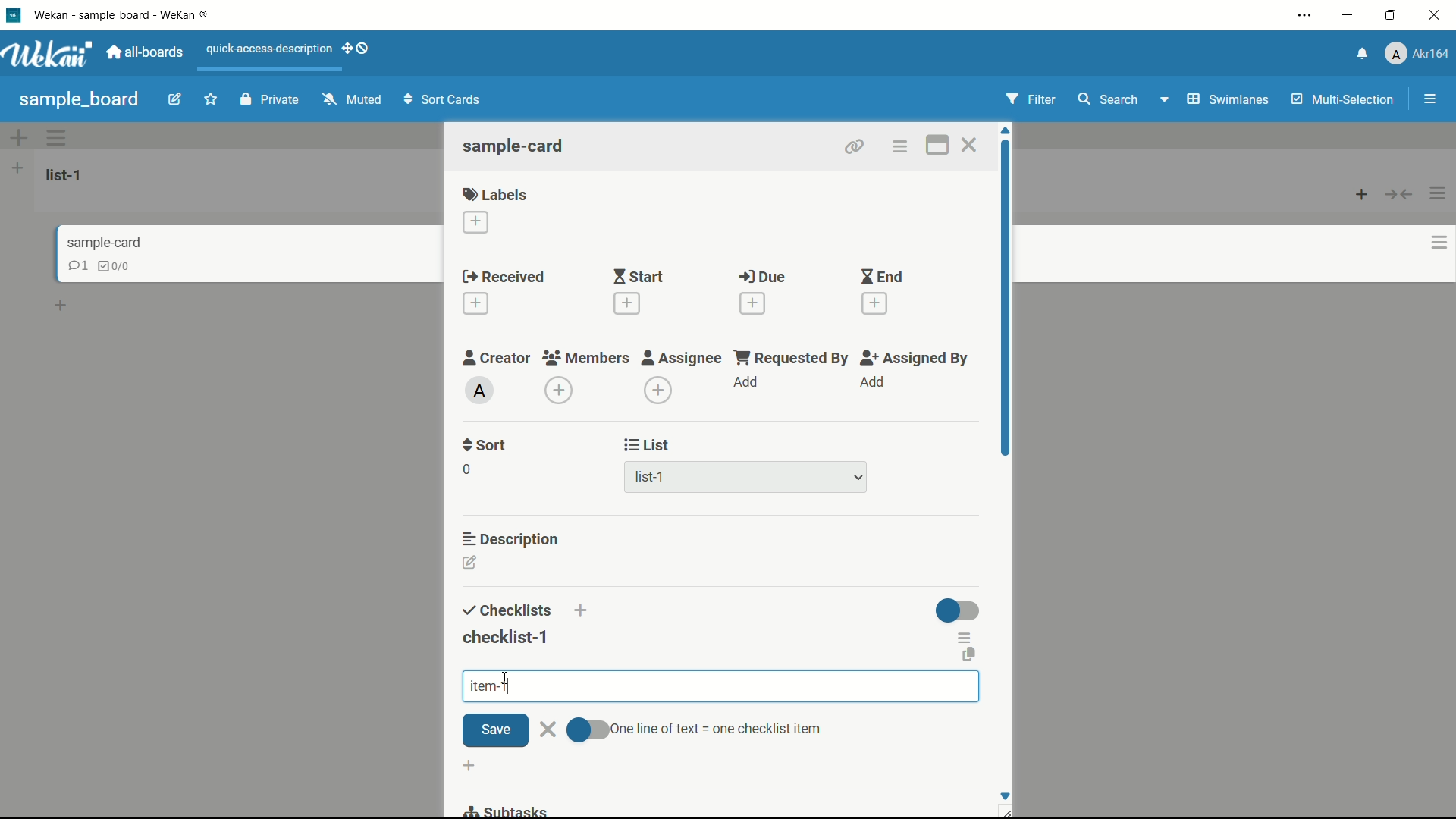 This screenshot has width=1456, height=819. Describe the element at coordinates (1305, 17) in the screenshot. I see `settings and more` at that location.